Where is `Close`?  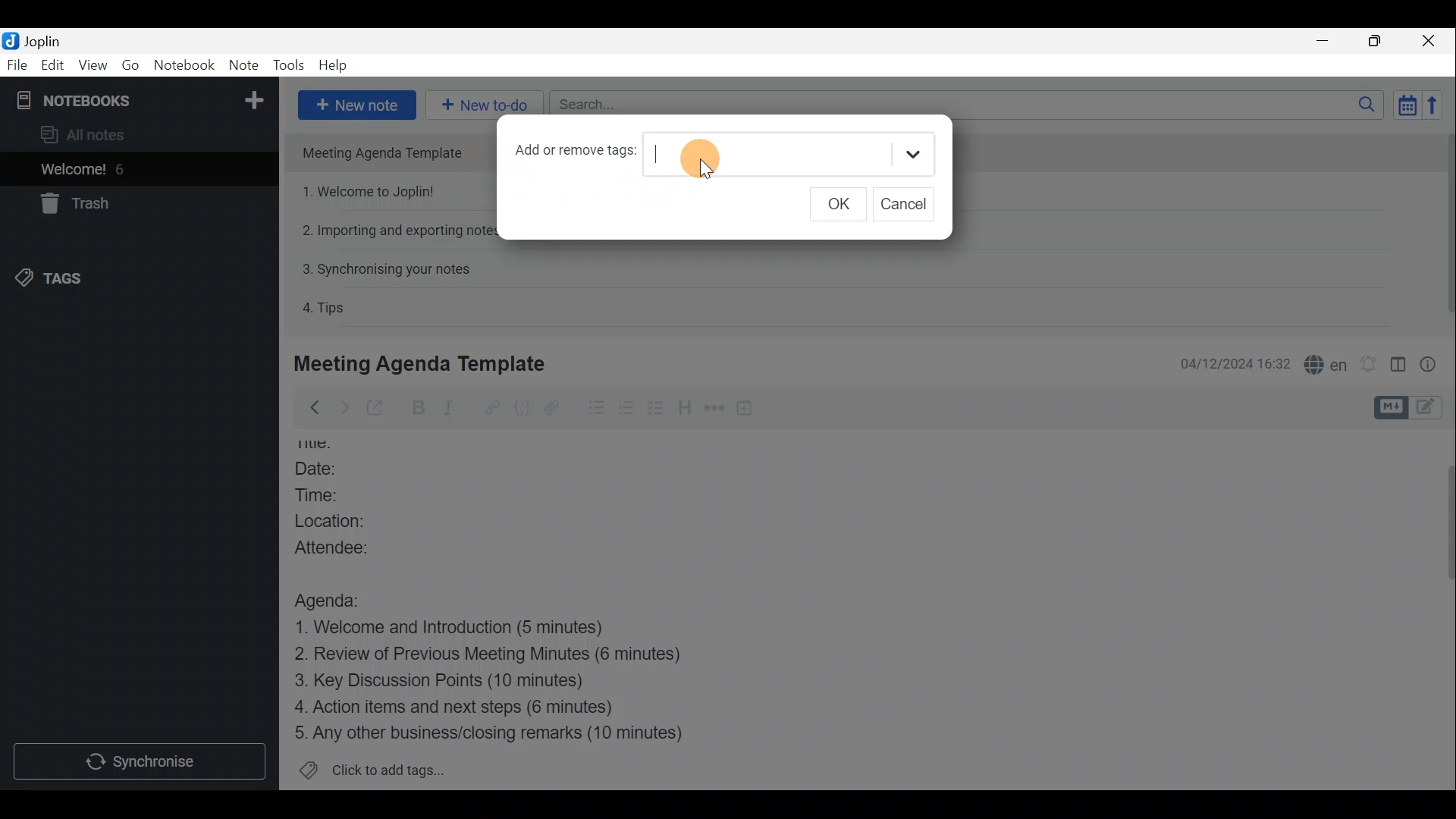
Close is located at coordinates (1429, 42).